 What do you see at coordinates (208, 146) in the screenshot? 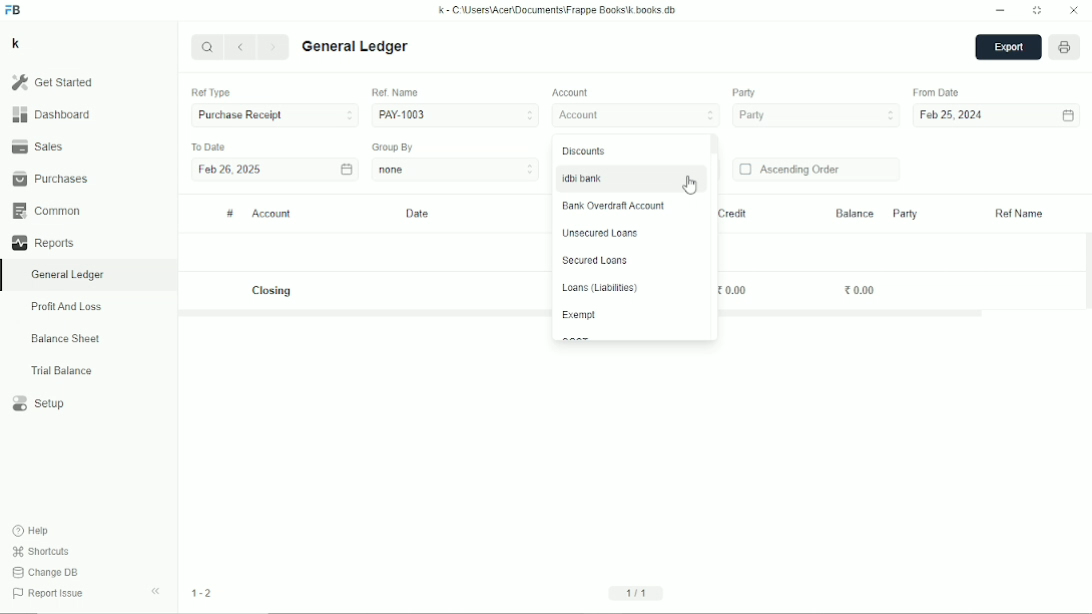
I see `To date` at bounding box center [208, 146].